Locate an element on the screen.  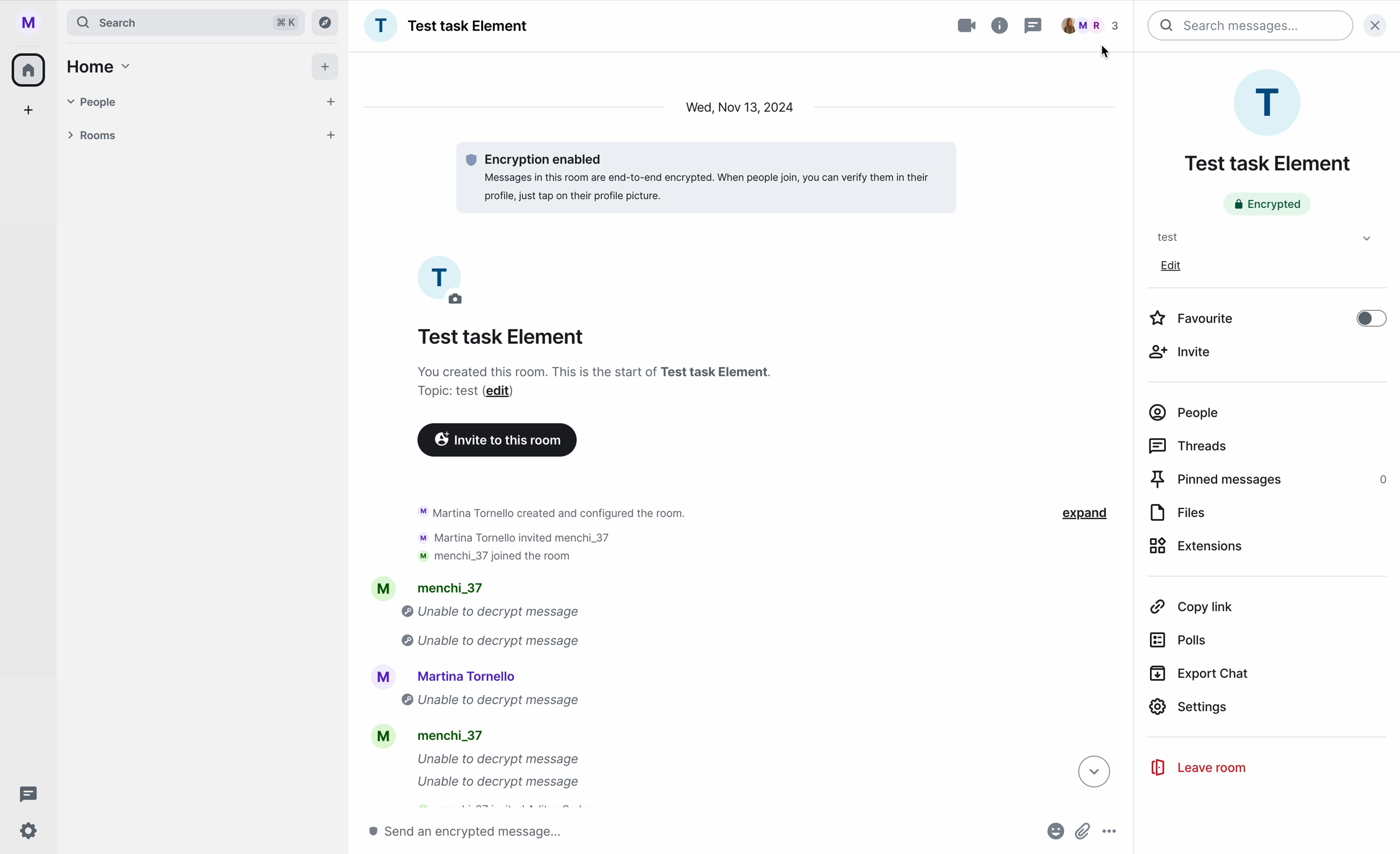
threads is located at coordinates (1191, 445).